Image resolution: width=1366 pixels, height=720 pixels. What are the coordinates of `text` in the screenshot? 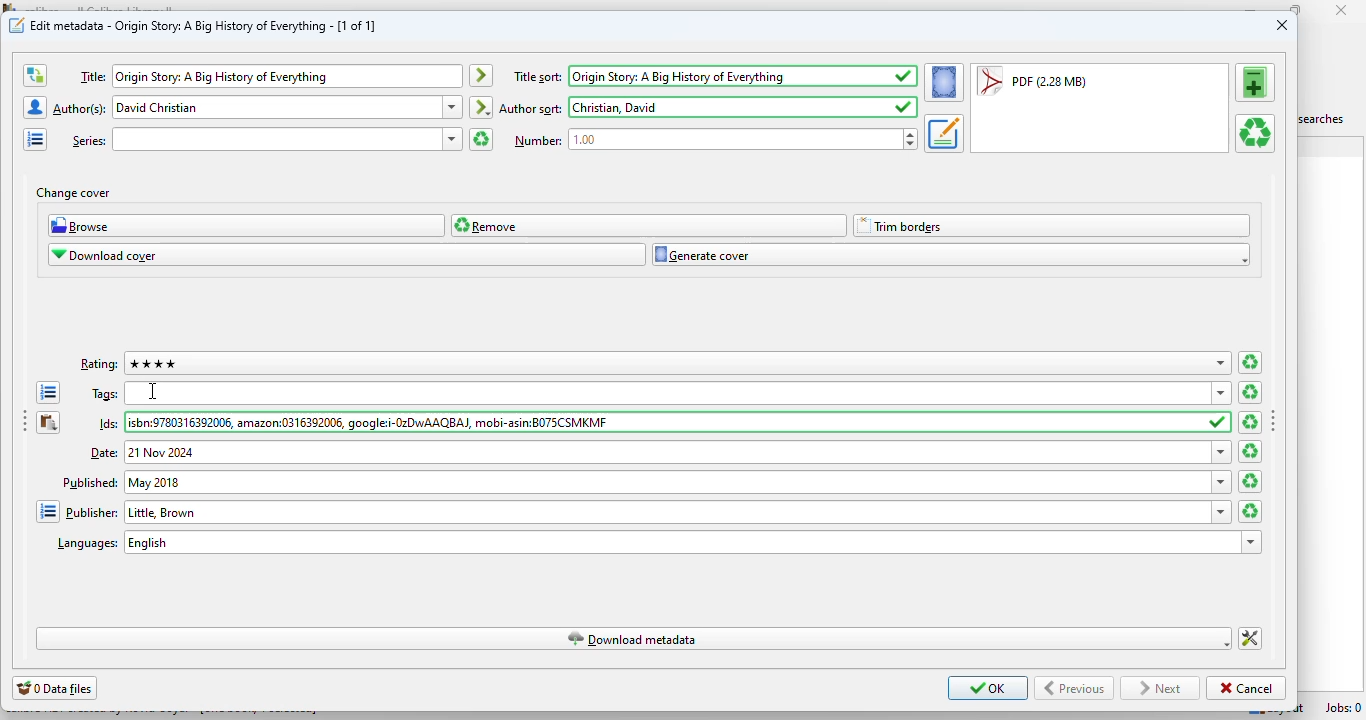 It's located at (537, 140).